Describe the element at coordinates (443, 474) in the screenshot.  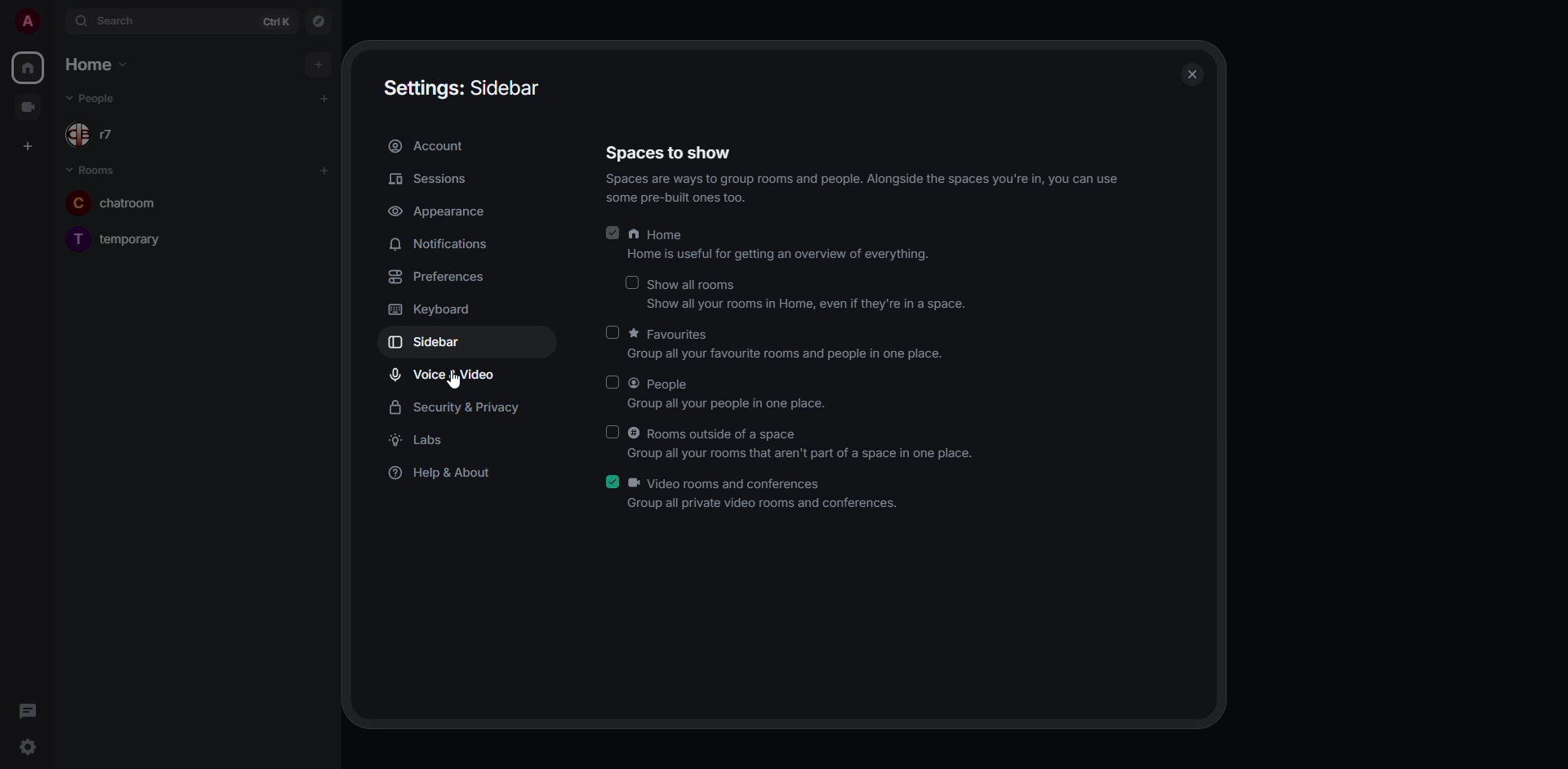
I see `help & about` at that location.